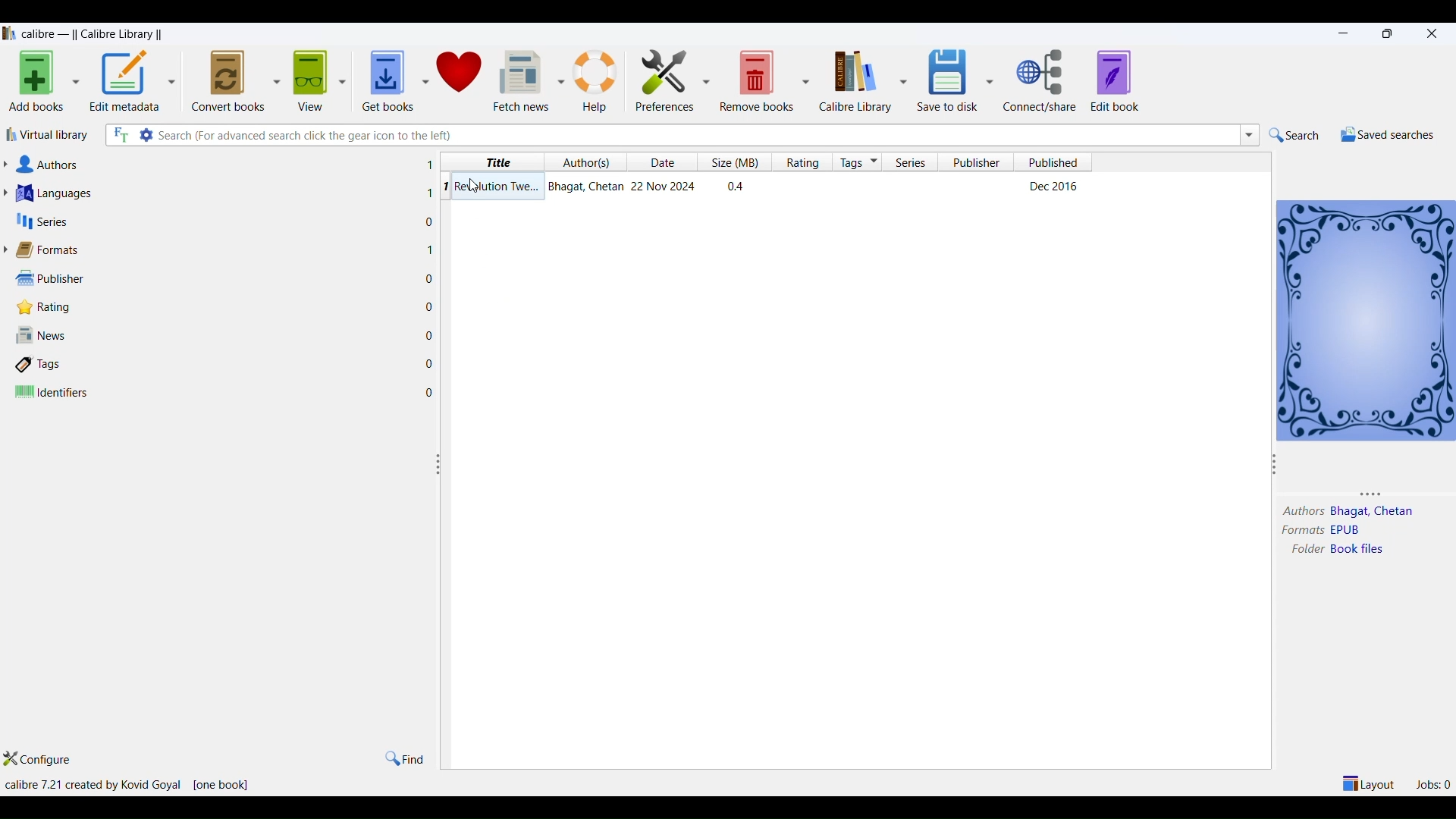  Describe the element at coordinates (494, 162) in the screenshot. I see `title` at that location.